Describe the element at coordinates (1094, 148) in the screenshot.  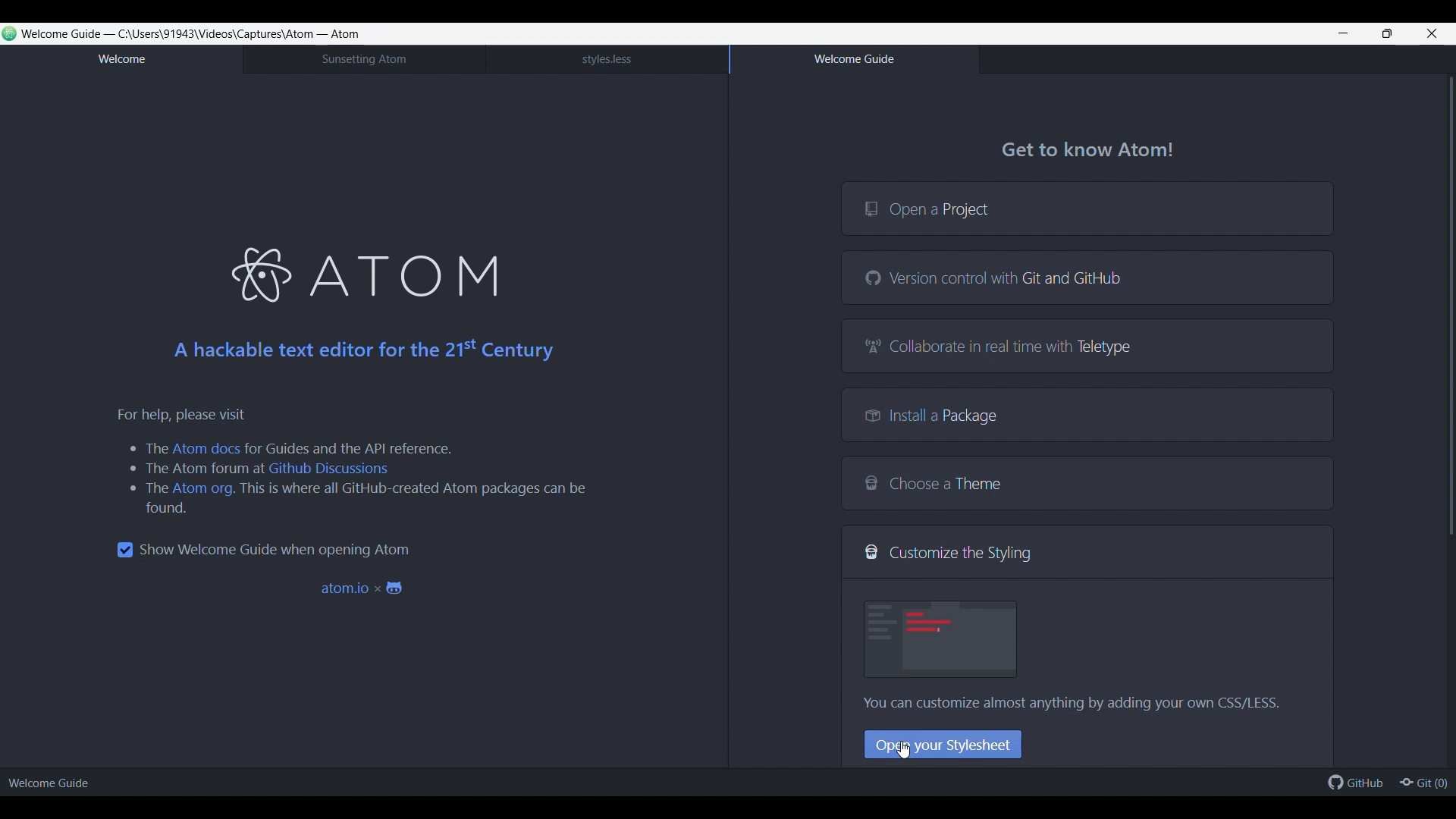
I see `Get to know Atom!` at that location.